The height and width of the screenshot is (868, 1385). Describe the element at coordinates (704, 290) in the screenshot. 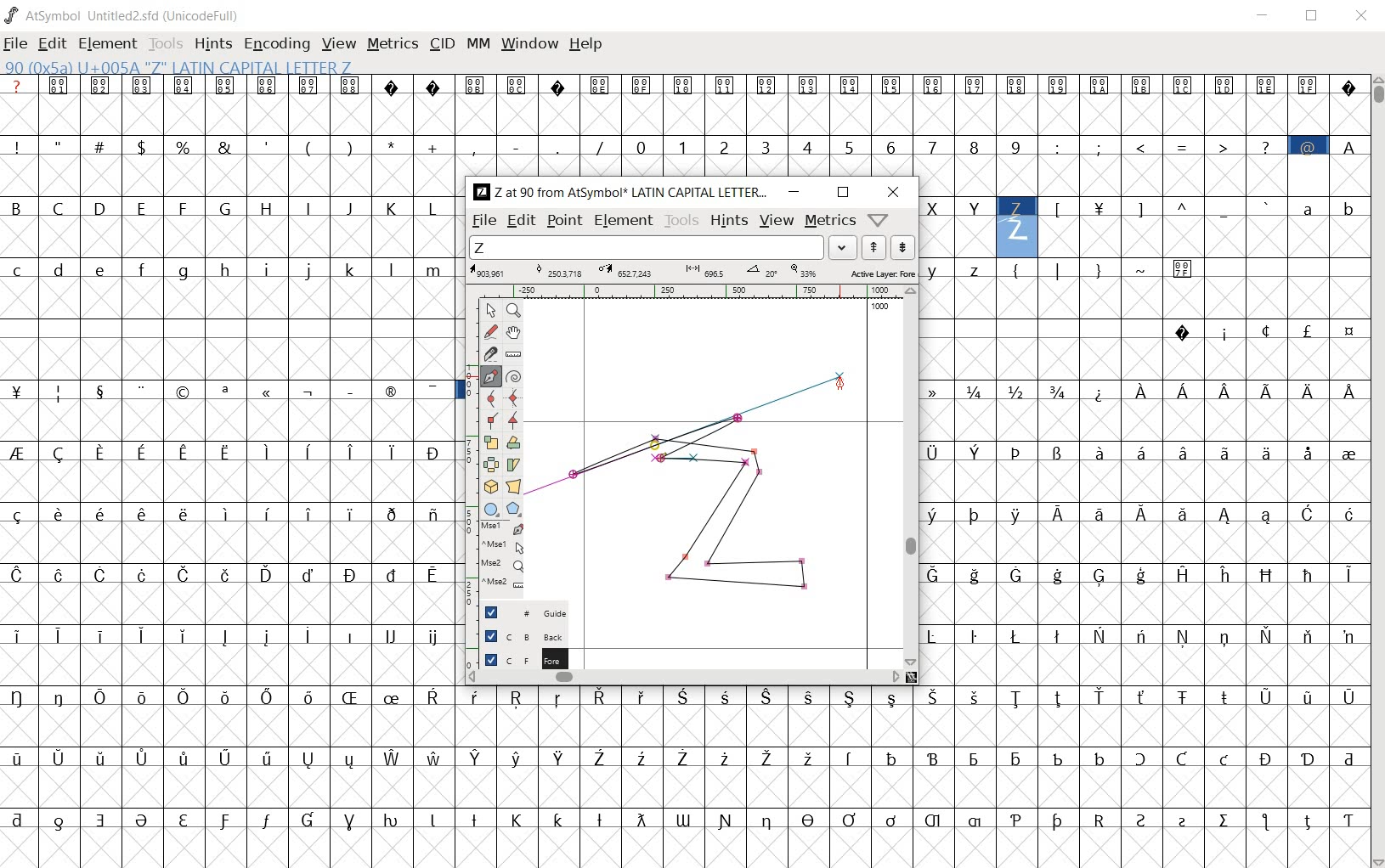

I see `ruler` at that location.